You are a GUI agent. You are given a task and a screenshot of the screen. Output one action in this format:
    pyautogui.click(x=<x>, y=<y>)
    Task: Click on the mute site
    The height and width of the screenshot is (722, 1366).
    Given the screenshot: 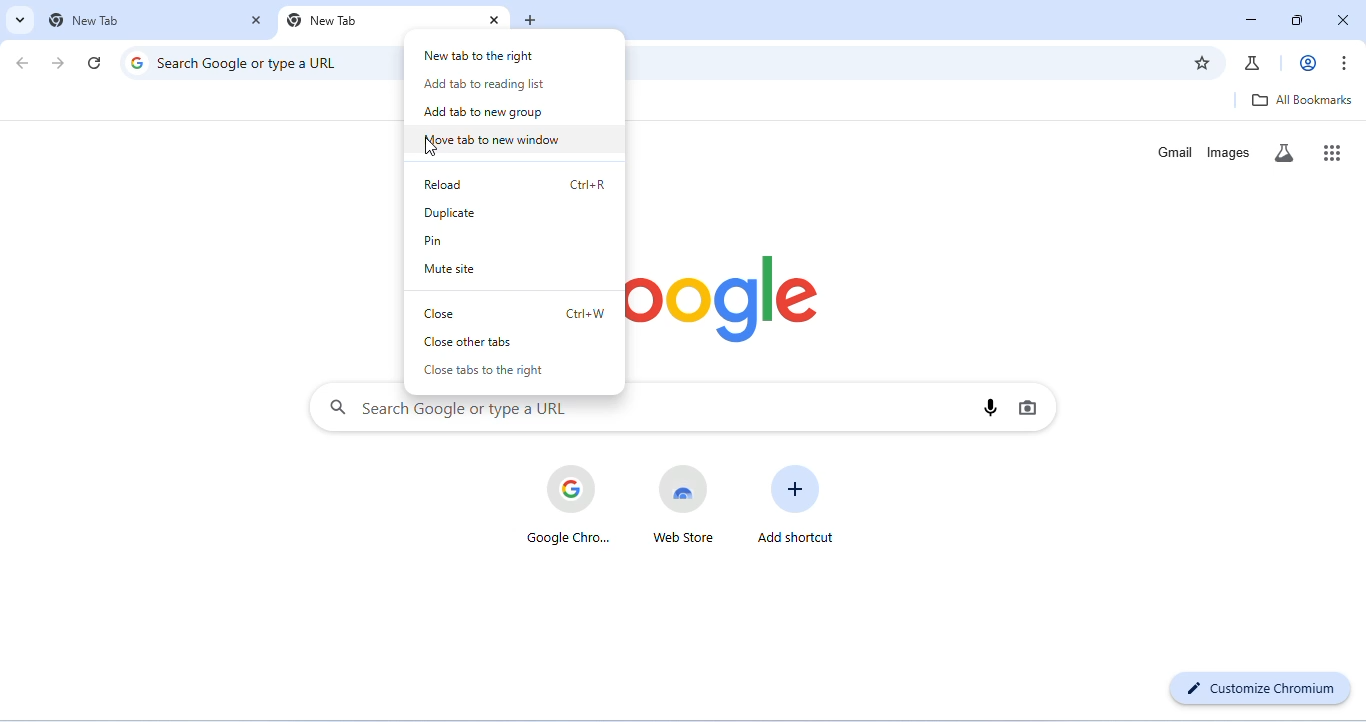 What is the action you would take?
    pyautogui.click(x=451, y=268)
    